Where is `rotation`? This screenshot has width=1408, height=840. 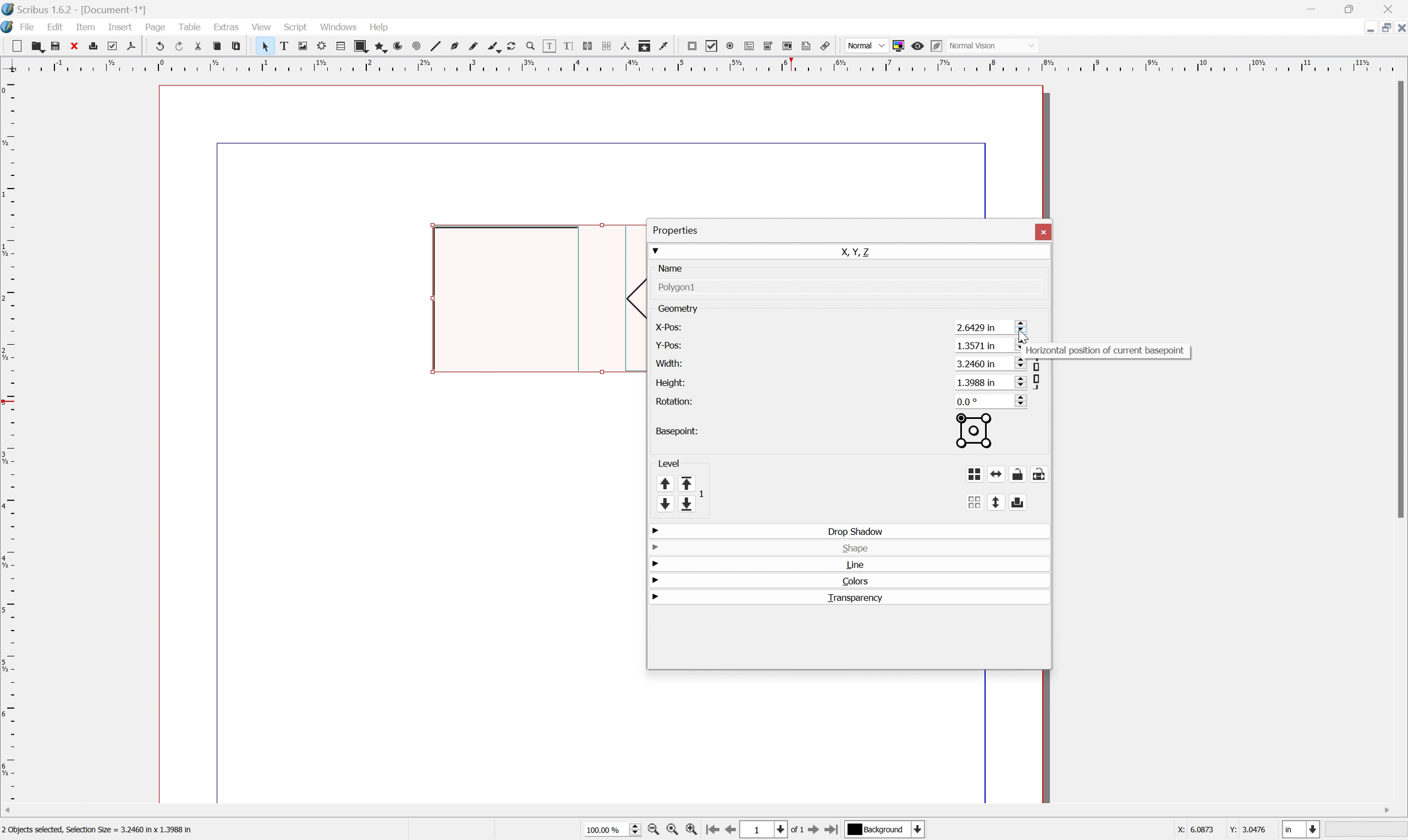 rotation is located at coordinates (675, 400).